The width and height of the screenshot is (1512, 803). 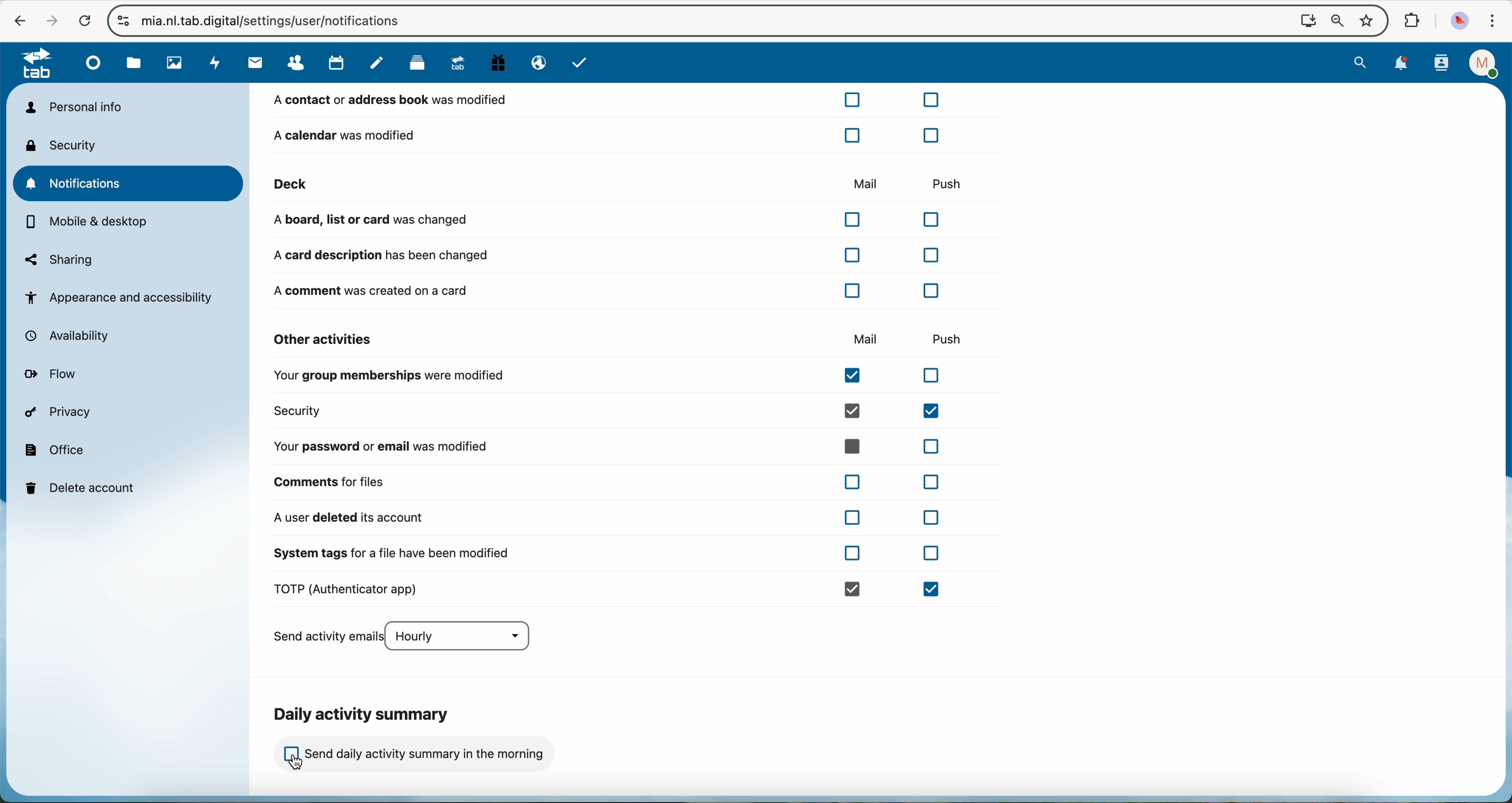 What do you see at coordinates (866, 340) in the screenshot?
I see `mail` at bounding box center [866, 340].